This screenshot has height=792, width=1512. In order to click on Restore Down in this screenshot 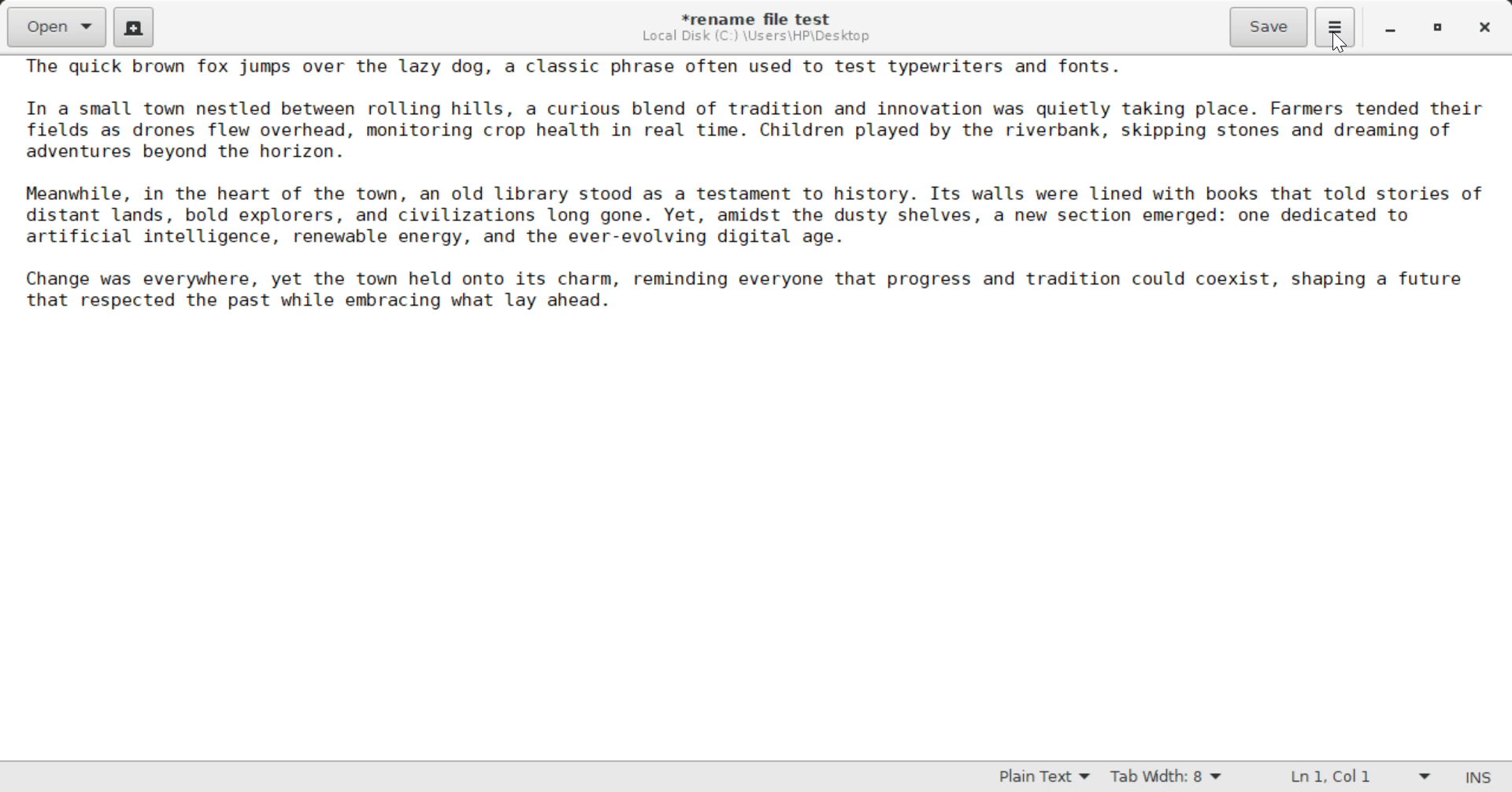, I will do `click(1390, 29)`.